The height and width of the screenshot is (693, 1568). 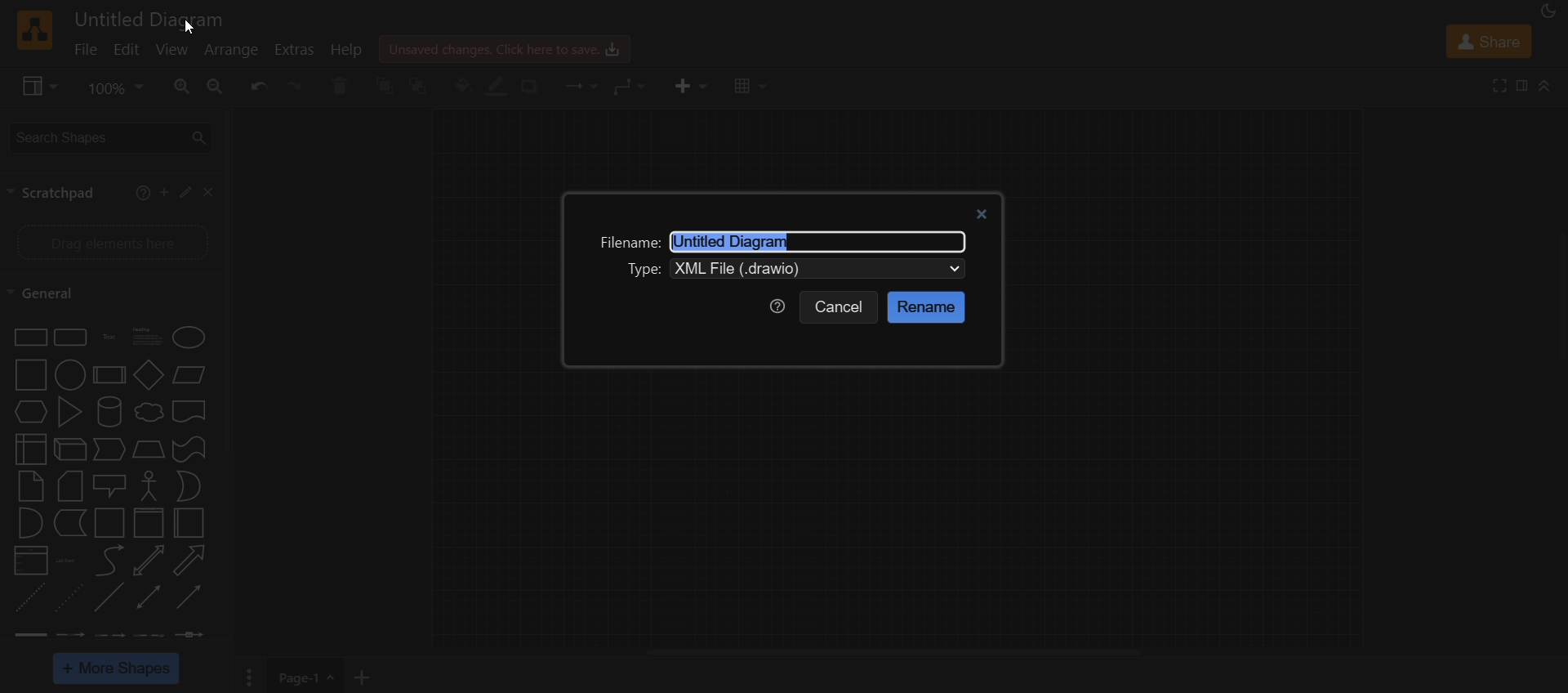 What do you see at coordinates (118, 669) in the screenshot?
I see `more shapes` at bounding box center [118, 669].